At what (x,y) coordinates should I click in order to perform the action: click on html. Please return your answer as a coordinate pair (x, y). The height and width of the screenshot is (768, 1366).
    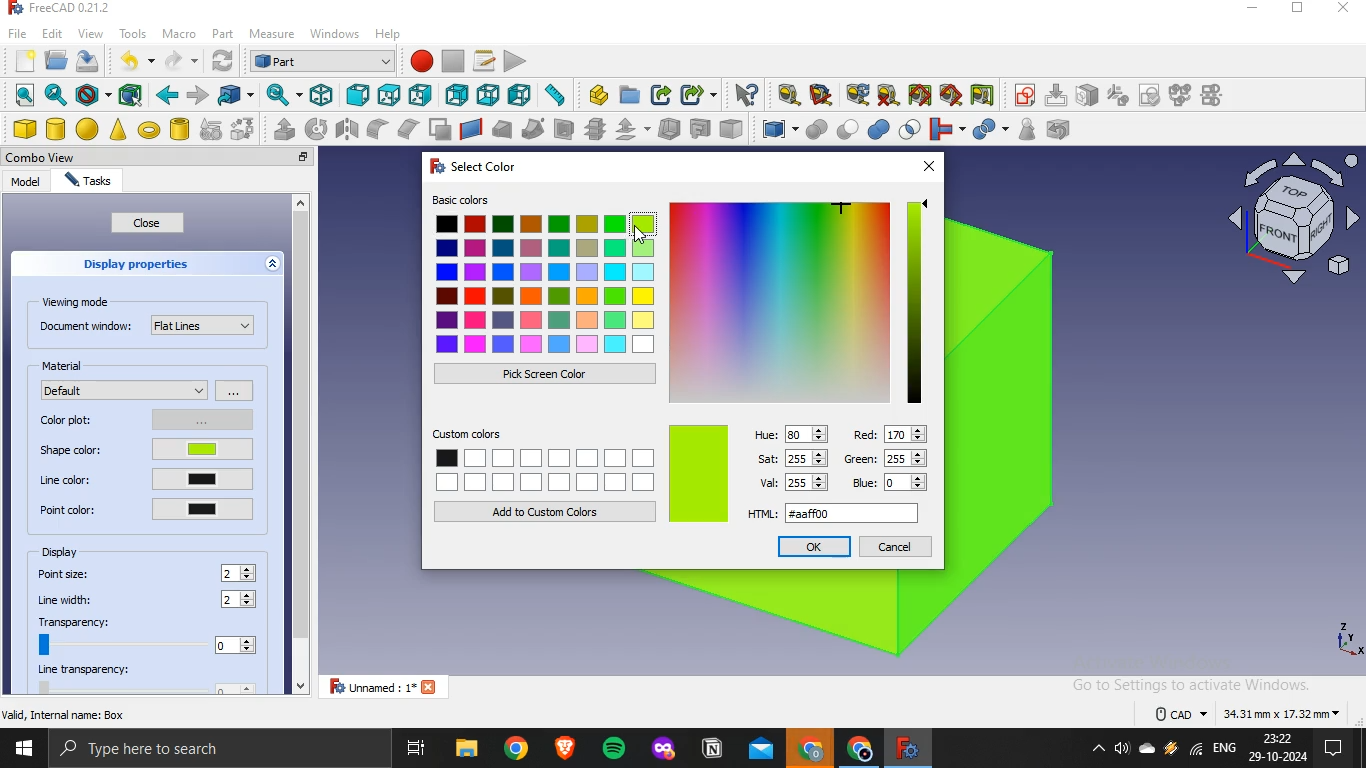
    Looking at the image, I should click on (838, 511).